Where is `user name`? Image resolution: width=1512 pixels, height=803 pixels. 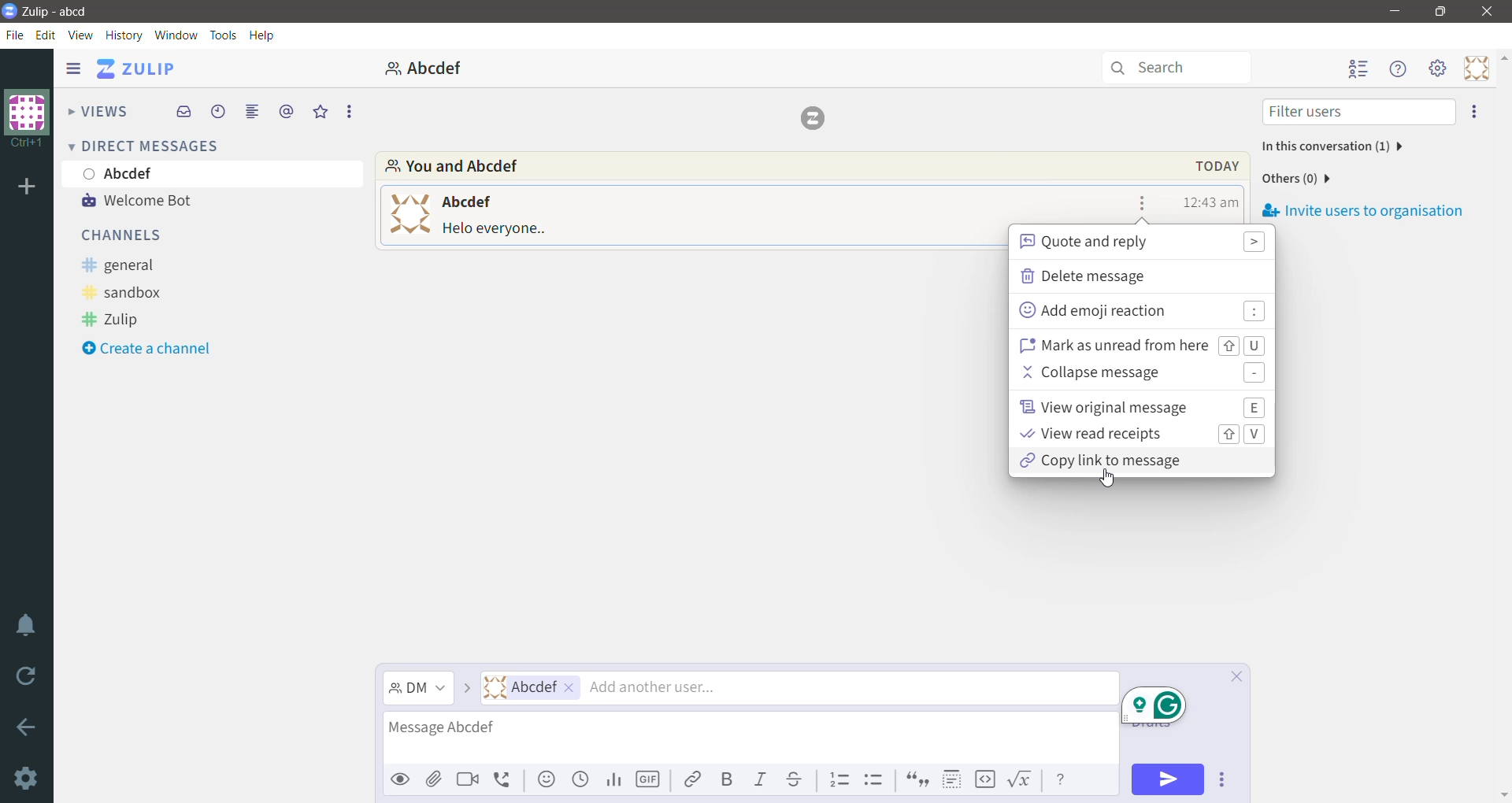
user name is located at coordinates (466, 201).